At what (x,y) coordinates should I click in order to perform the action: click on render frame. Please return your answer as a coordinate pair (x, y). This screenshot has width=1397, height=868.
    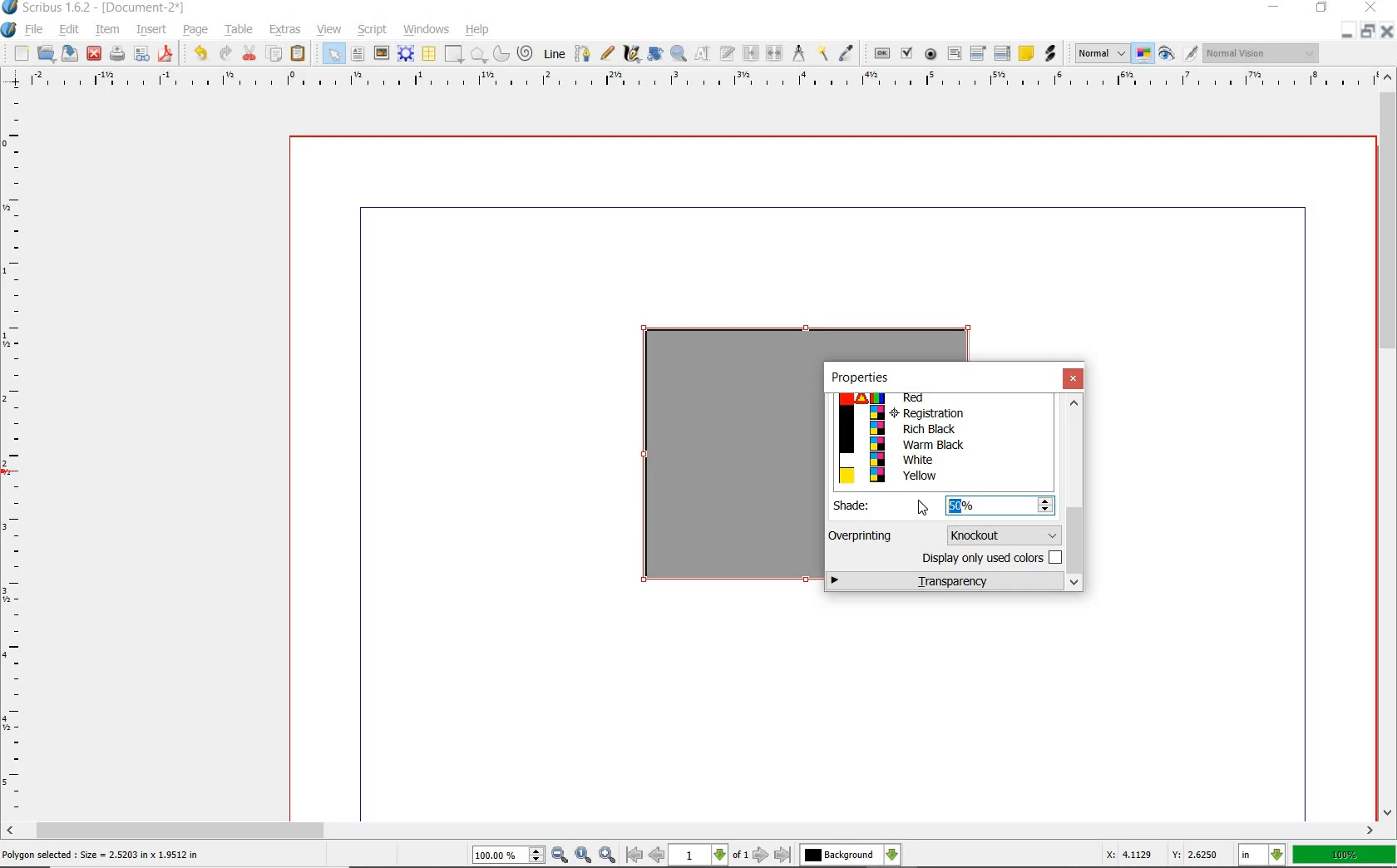
    Looking at the image, I should click on (404, 53).